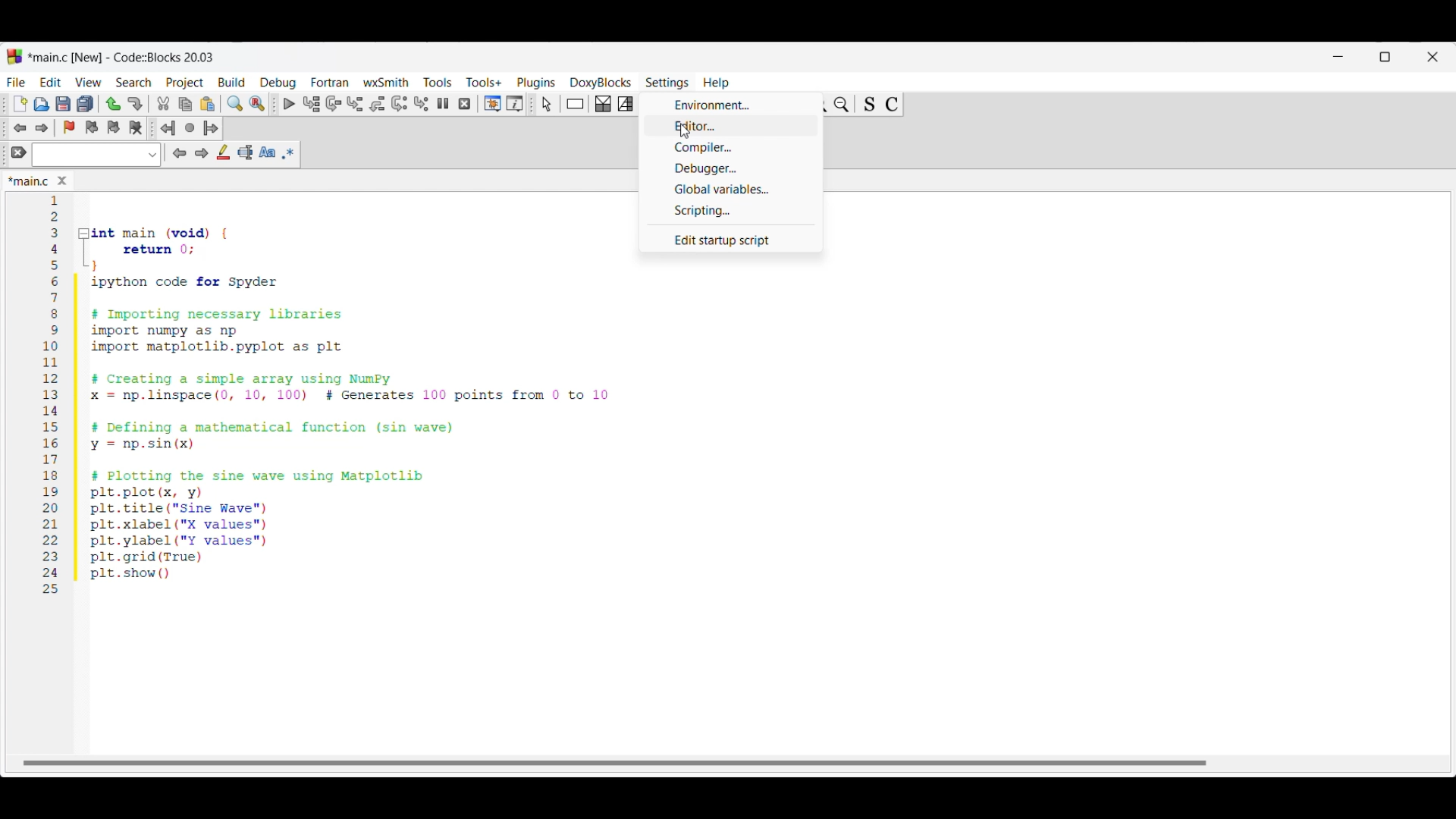 The width and height of the screenshot is (1456, 819). Describe the element at coordinates (231, 82) in the screenshot. I see `Build menu` at that location.